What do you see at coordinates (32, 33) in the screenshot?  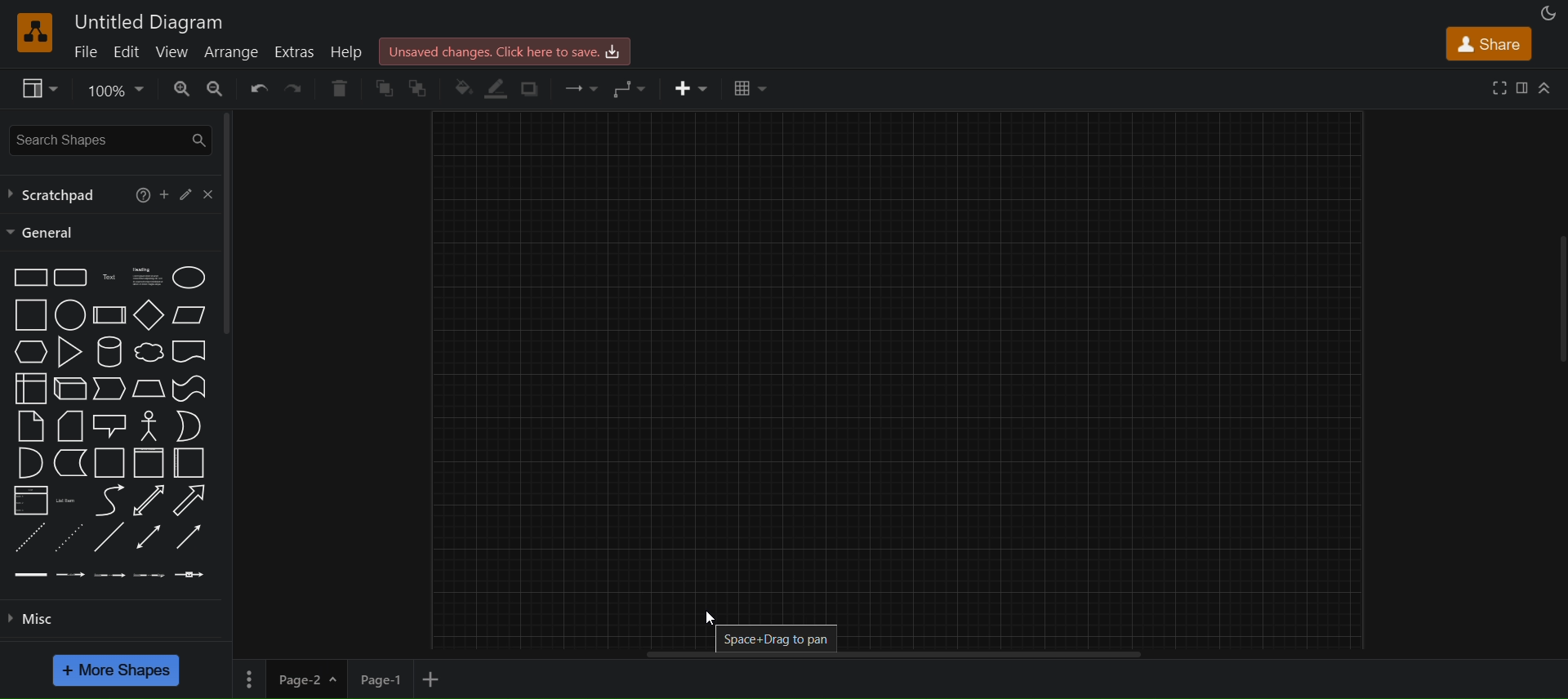 I see `logo` at bounding box center [32, 33].